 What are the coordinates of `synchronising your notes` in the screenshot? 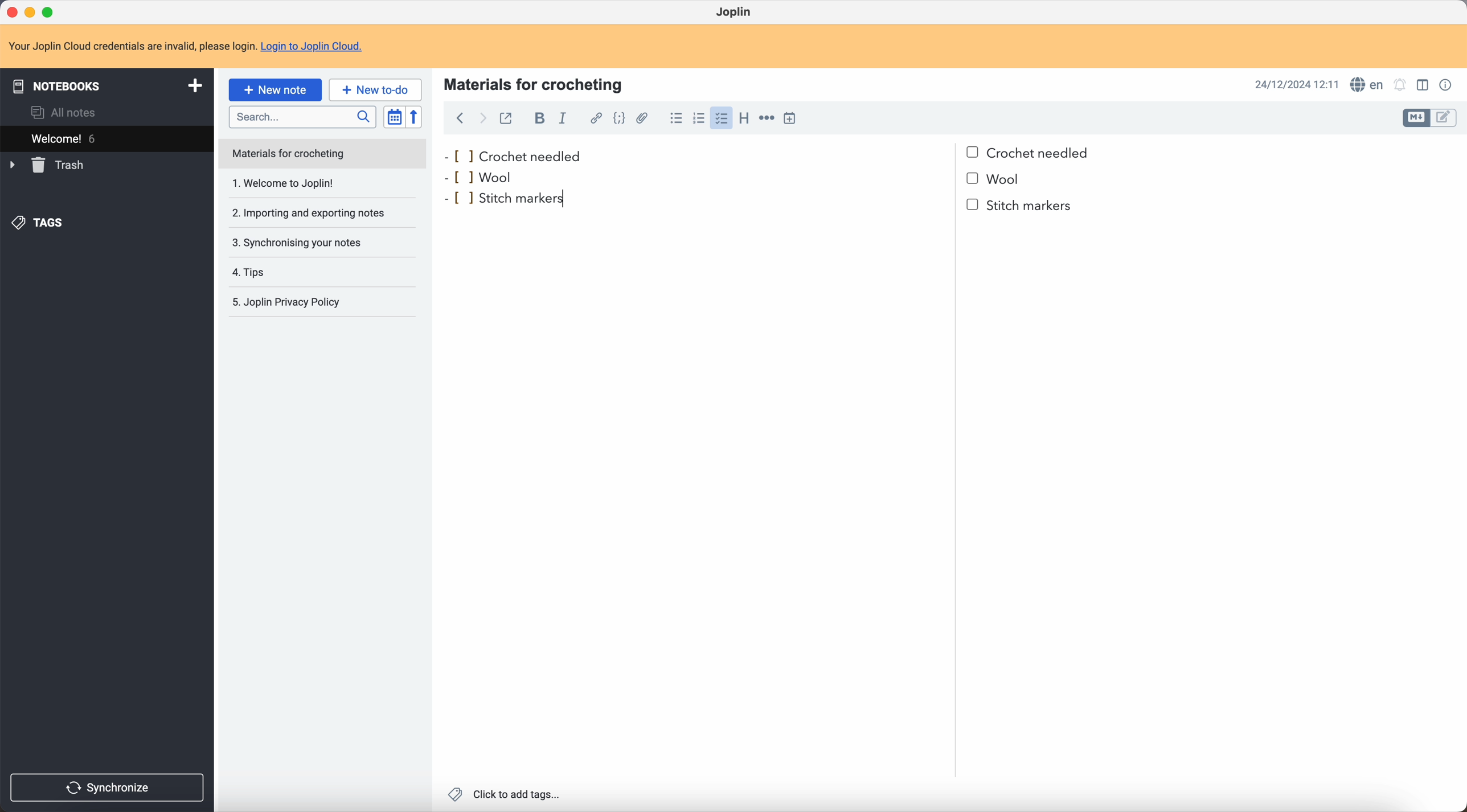 It's located at (315, 242).